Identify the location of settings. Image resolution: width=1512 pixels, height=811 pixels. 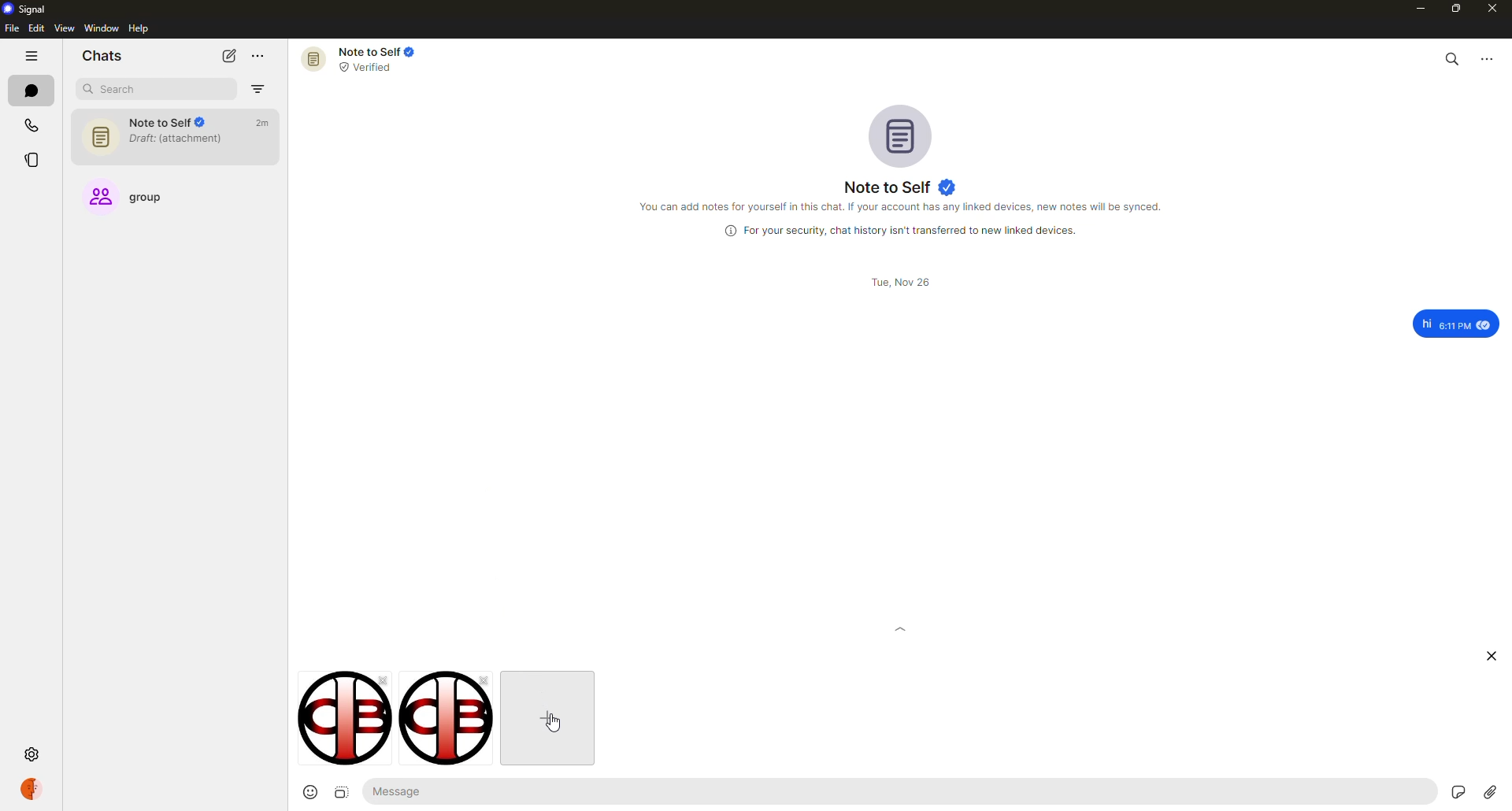
(33, 755).